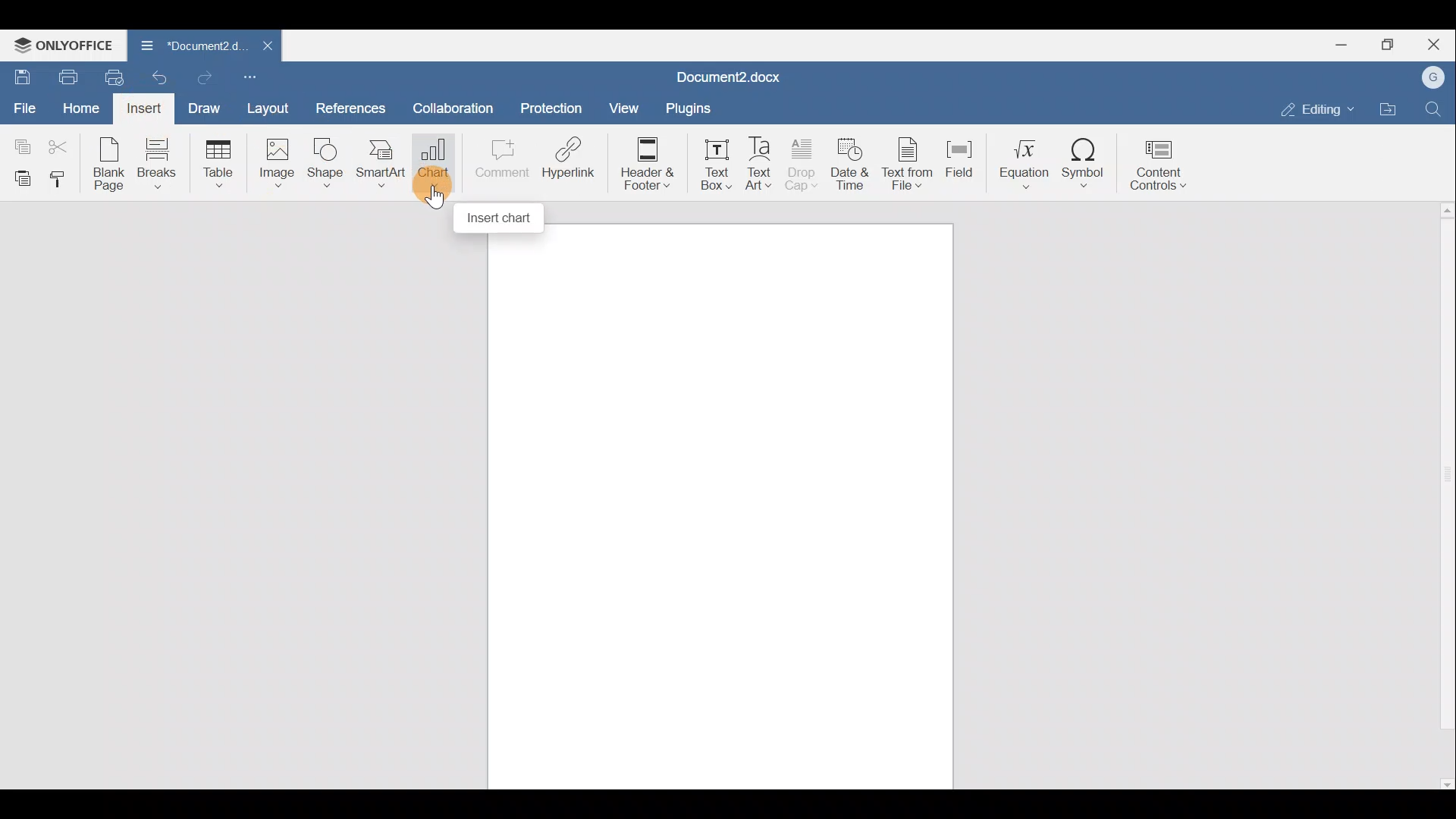  I want to click on Minimize, so click(1347, 43).